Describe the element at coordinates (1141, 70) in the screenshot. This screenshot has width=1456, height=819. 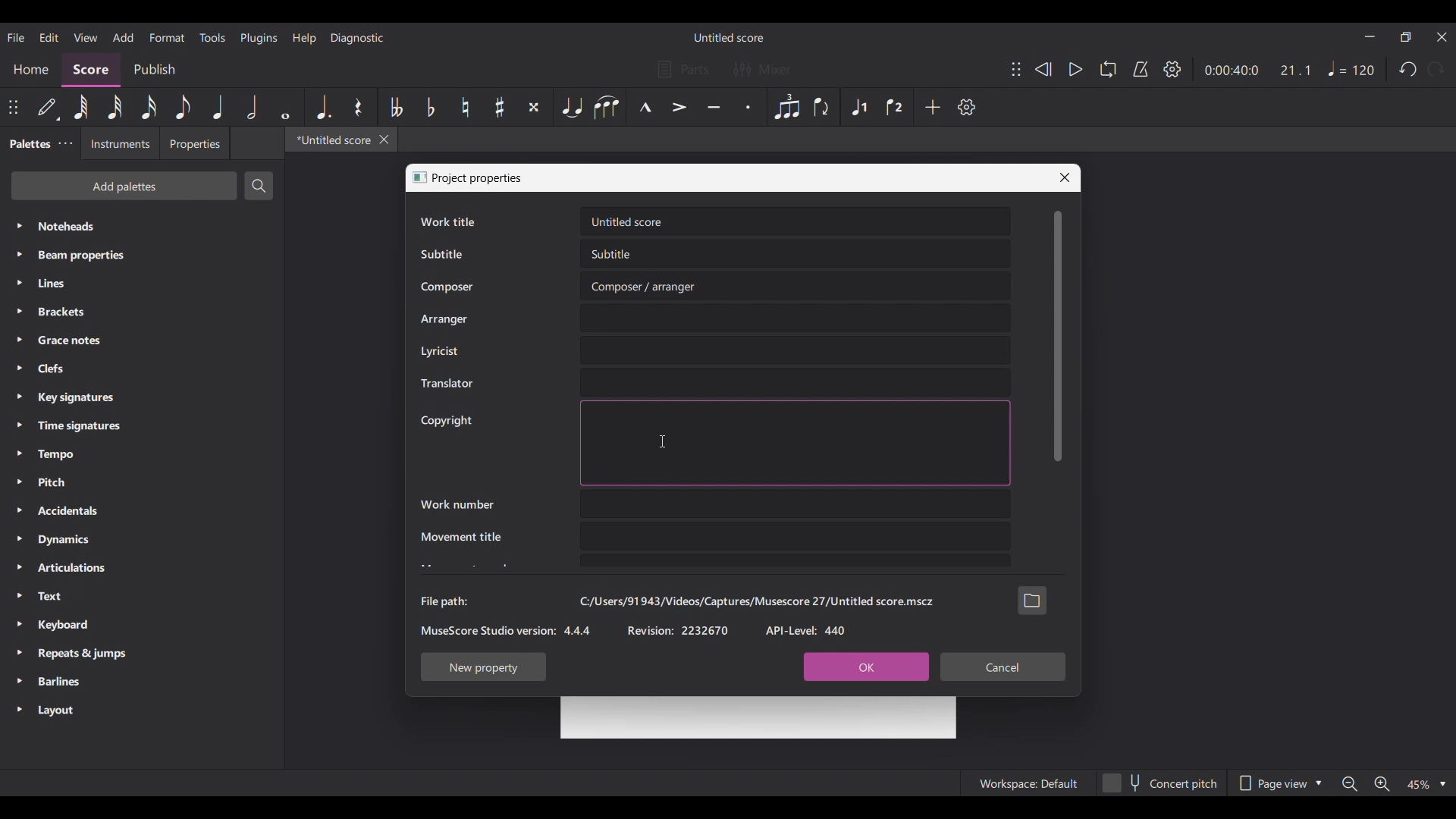
I see `Metronome` at that location.